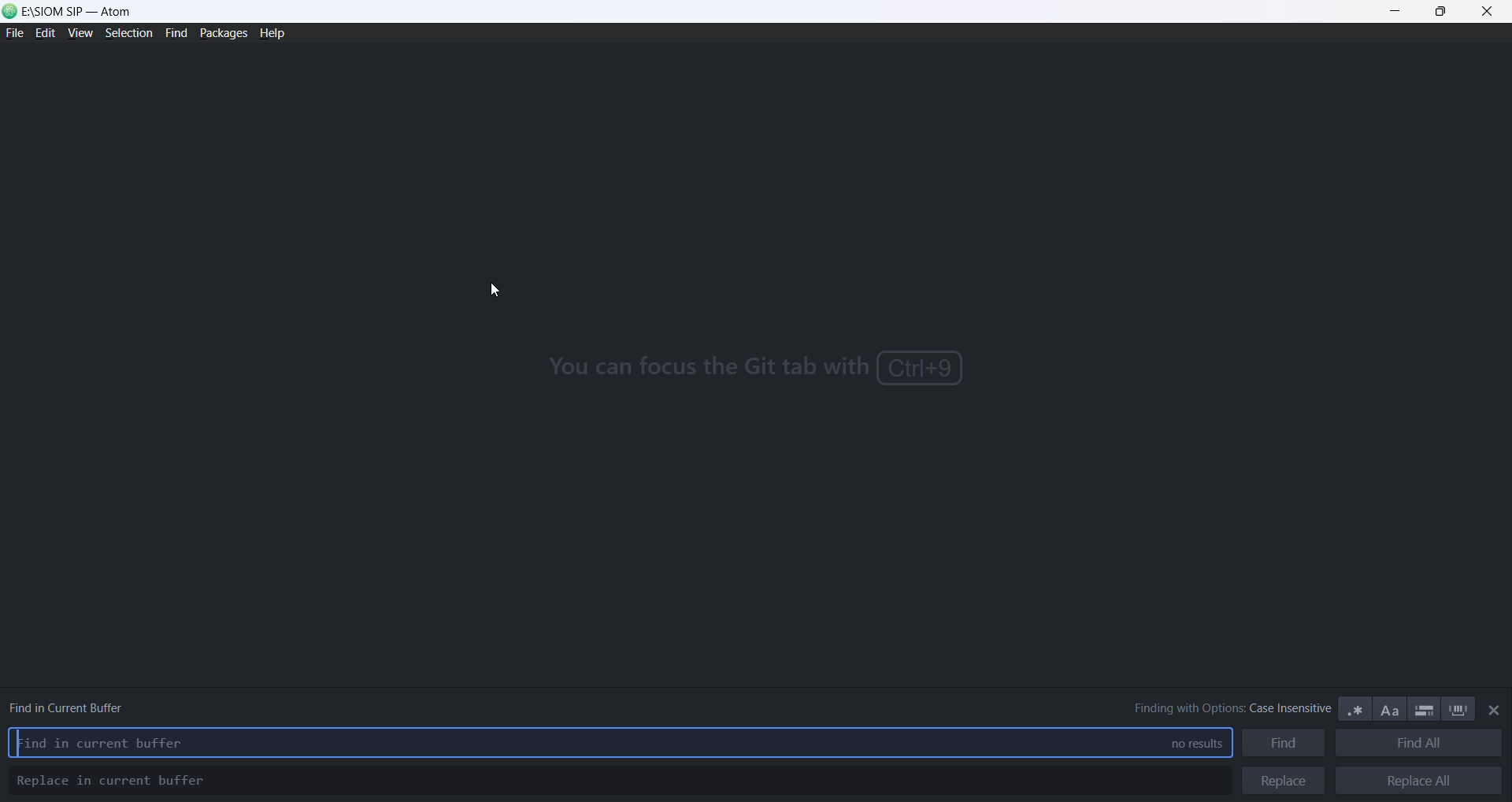  What do you see at coordinates (497, 291) in the screenshot?
I see `cursor` at bounding box center [497, 291].